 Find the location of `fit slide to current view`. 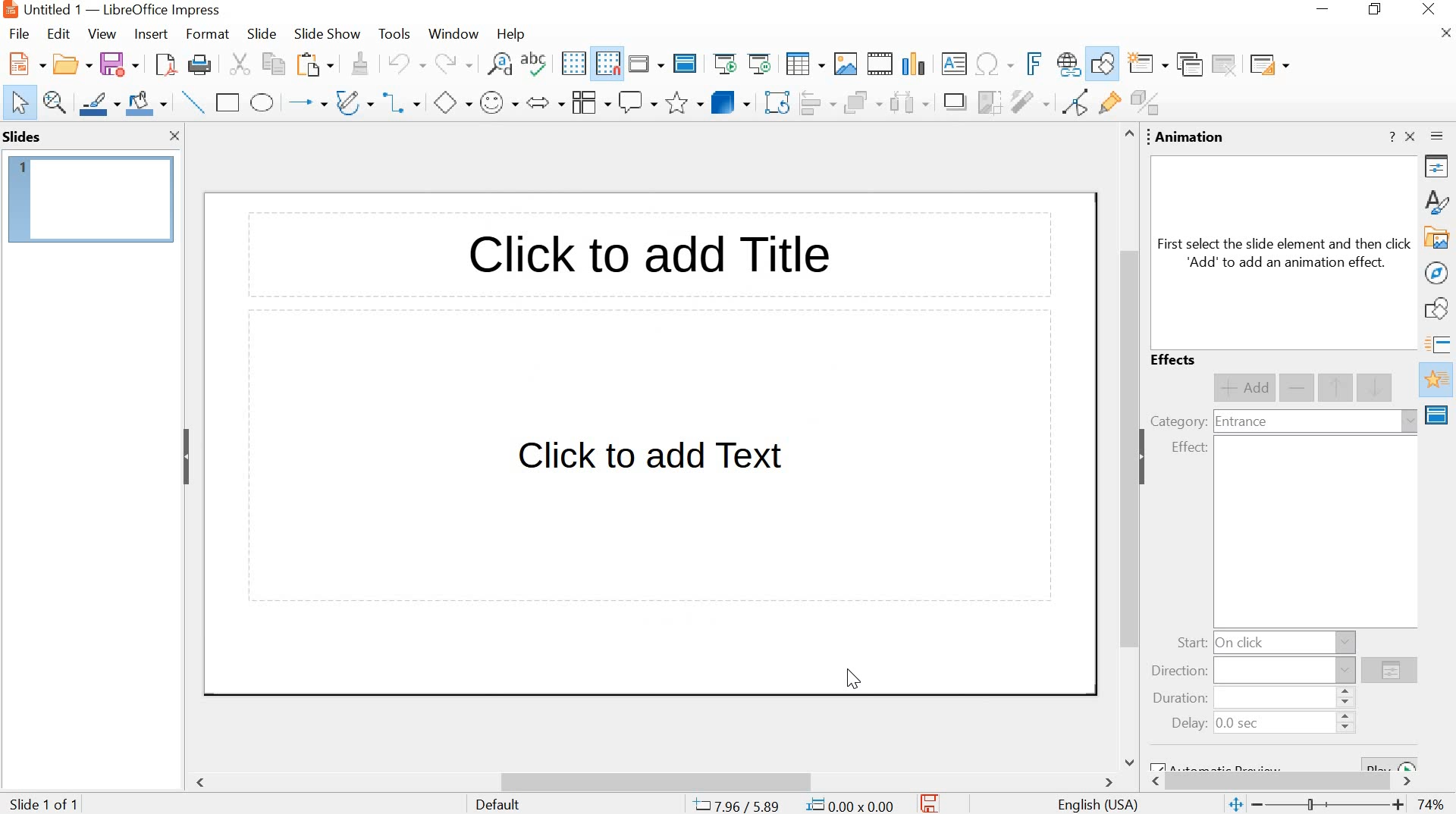

fit slide to current view is located at coordinates (1235, 806).